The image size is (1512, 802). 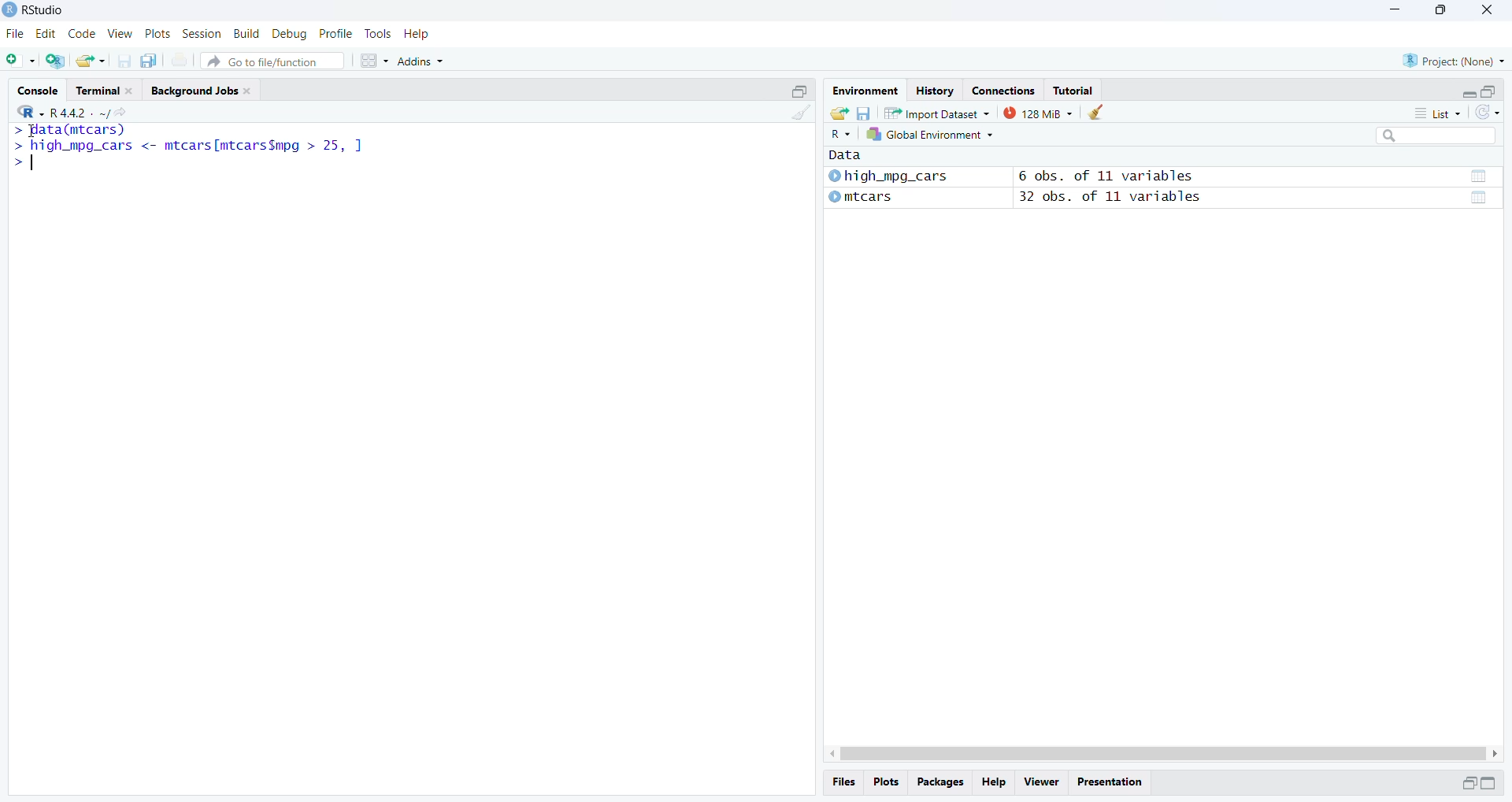 What do you see at coordinates (936, 113) in the screenshot?
I see `Import Dataset` at bounding box center [936, 113].